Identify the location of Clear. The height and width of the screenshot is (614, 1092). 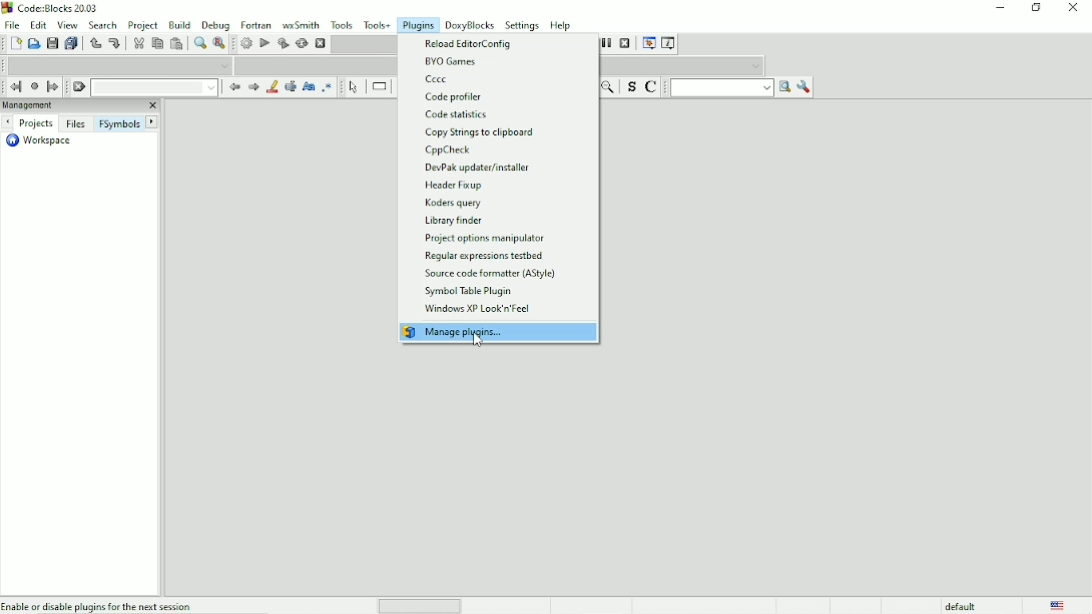
(78, 87).